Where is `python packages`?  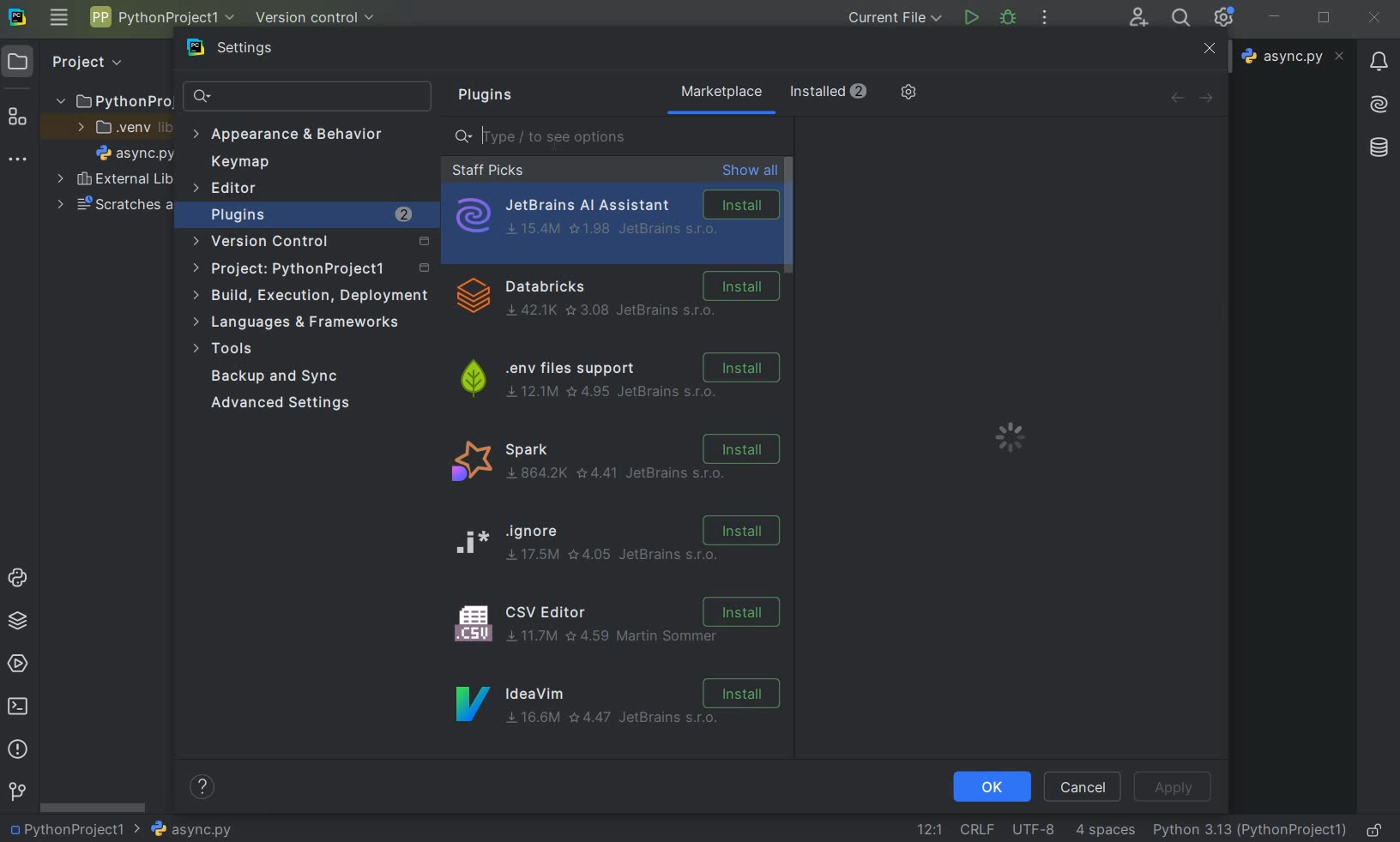
python packages is located at coordinates (16, 622).